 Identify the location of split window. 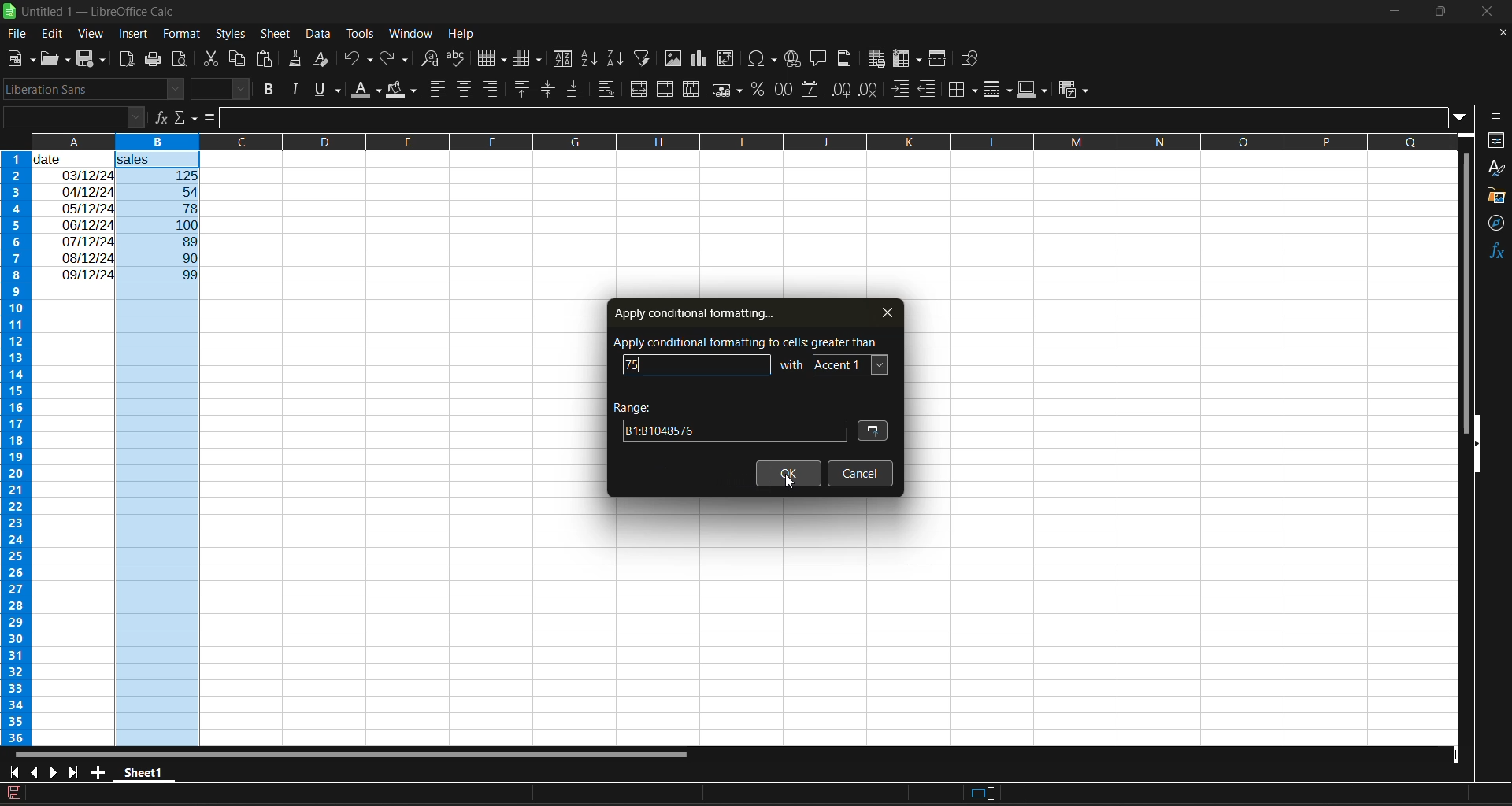
(939, 59).